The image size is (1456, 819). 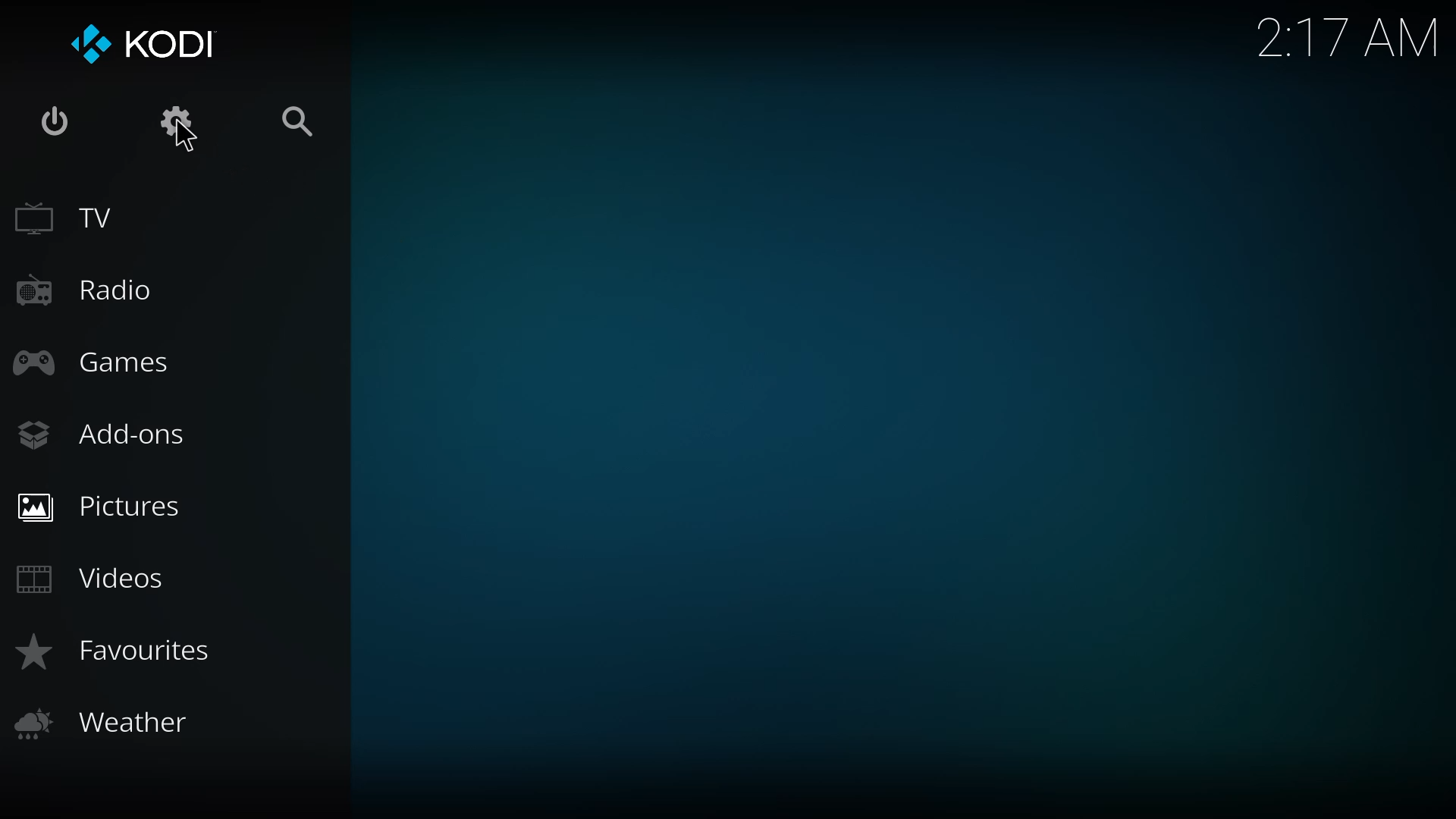 What do you see at coordinates (96, 359) in the screenshot?
I see `games` at bounding box center [96, 359].